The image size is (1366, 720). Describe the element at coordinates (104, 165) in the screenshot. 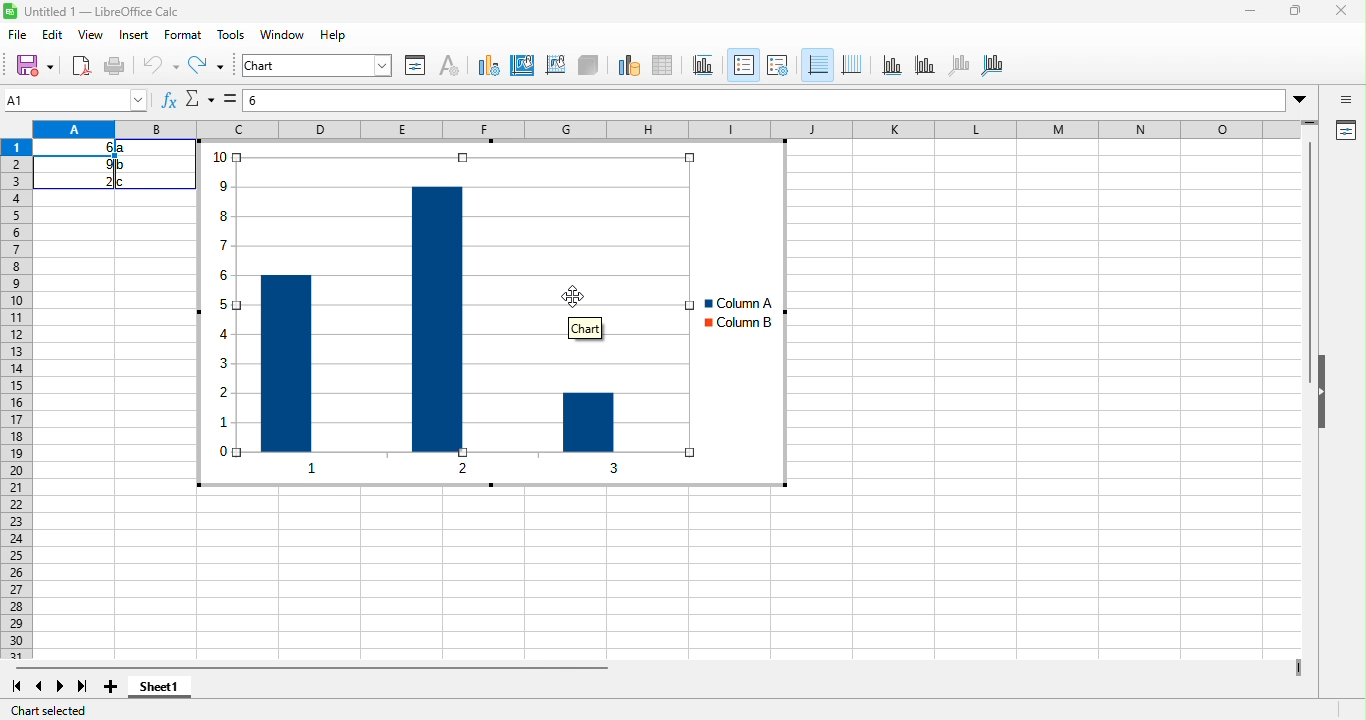

I see `9` at that location.